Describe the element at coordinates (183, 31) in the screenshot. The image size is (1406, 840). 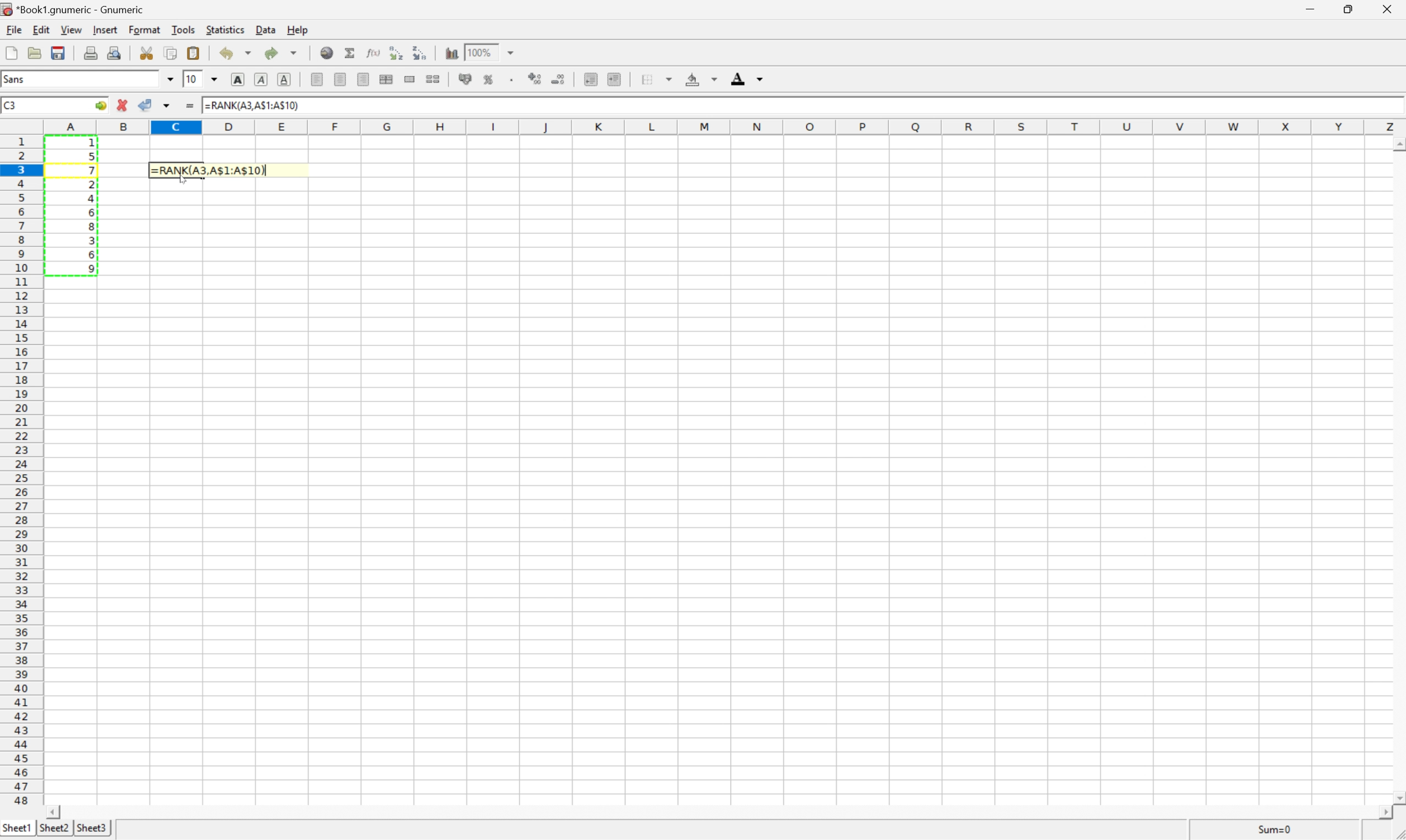
I see `tools` at that location.